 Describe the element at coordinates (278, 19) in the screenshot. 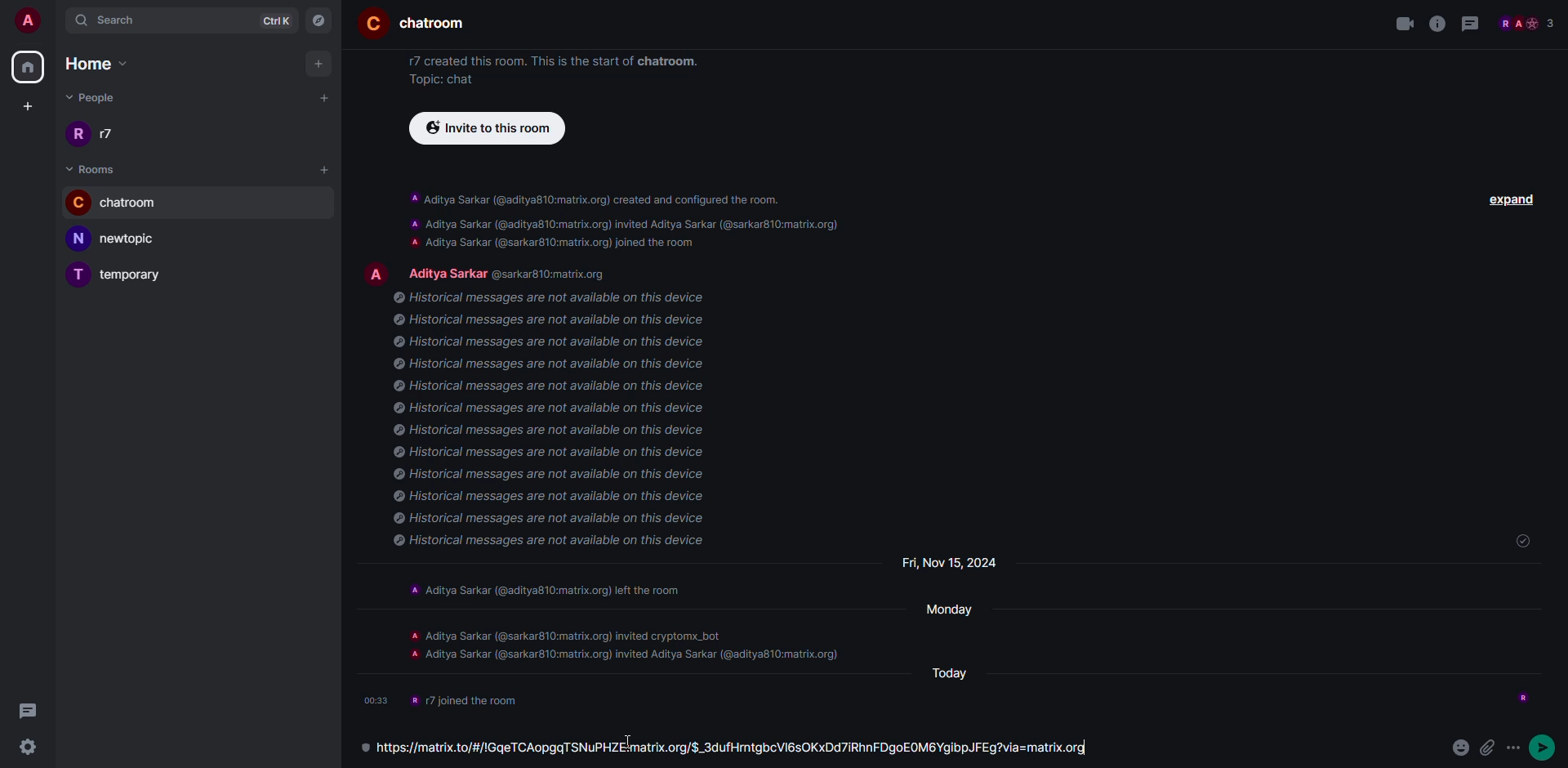

I see `ctrlK` at that location.